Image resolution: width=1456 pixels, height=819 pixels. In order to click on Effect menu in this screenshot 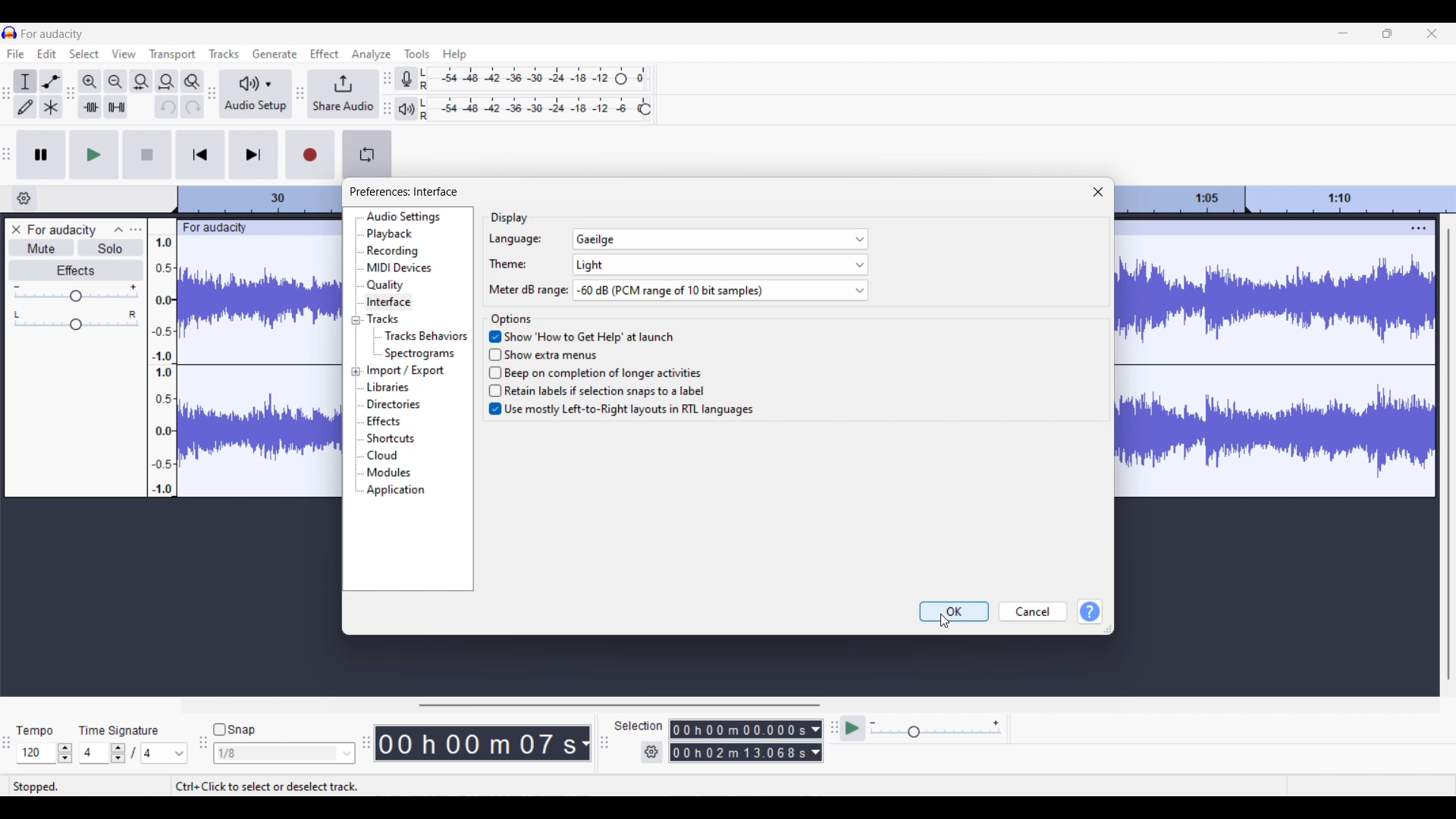, I will do `click(325, 53)`.